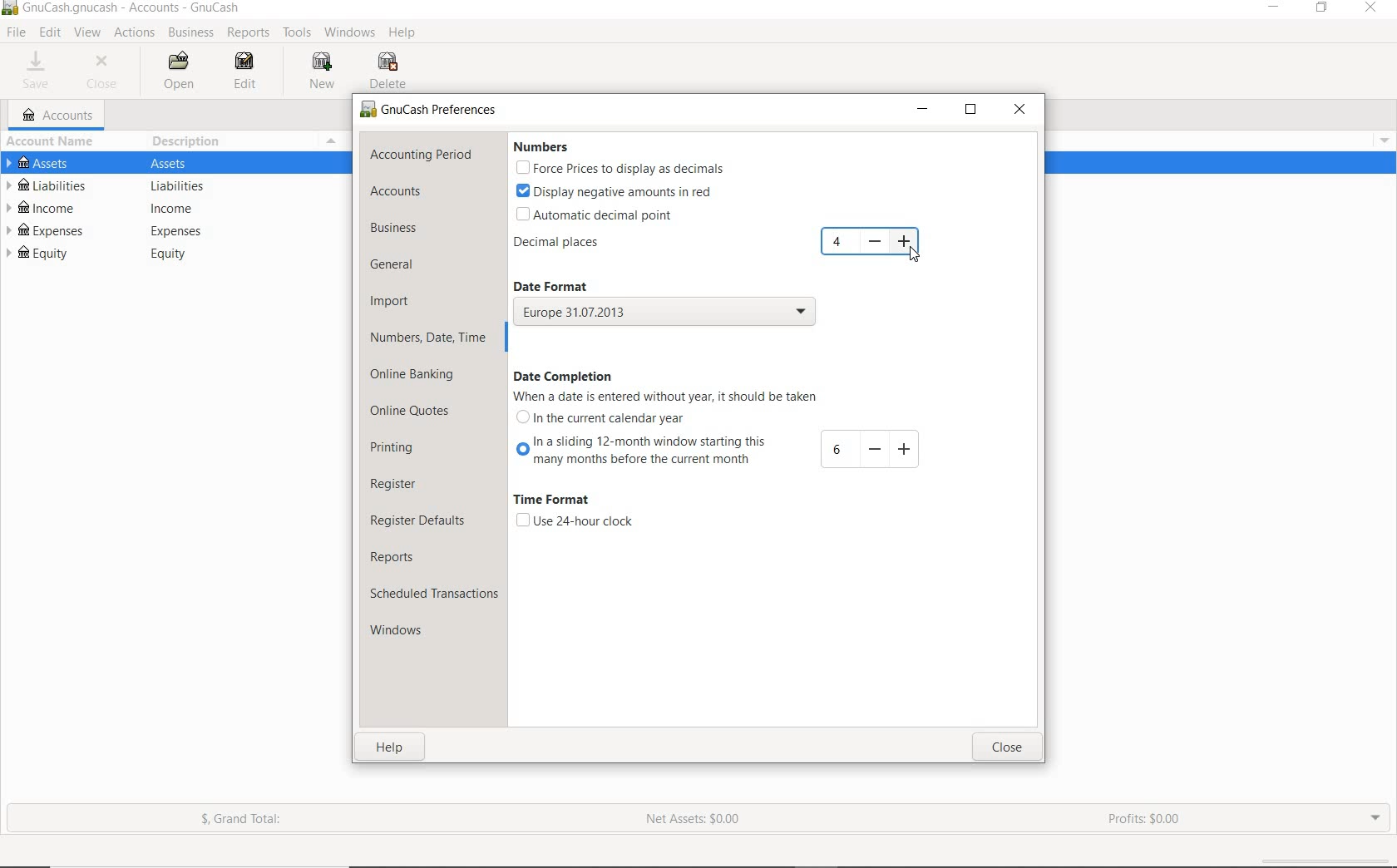 The width and height of the screenshot is (1397, 868). What do you see at coordinates (41, 71) in the screenshot?
I see `SAVE` at bounding box center [41, 71].